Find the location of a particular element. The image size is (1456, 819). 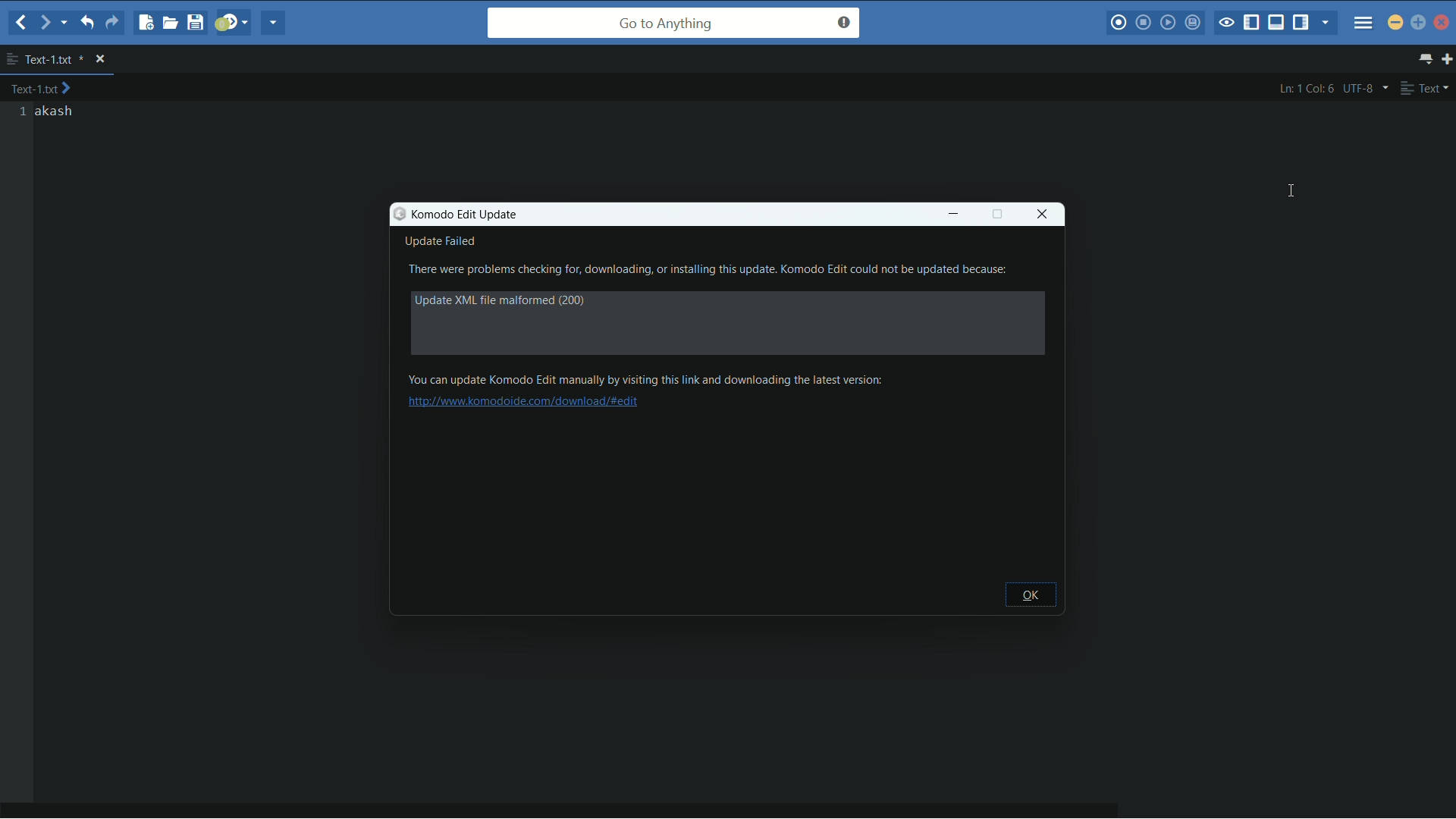

line encoding is located at coordinates (1361, 87).